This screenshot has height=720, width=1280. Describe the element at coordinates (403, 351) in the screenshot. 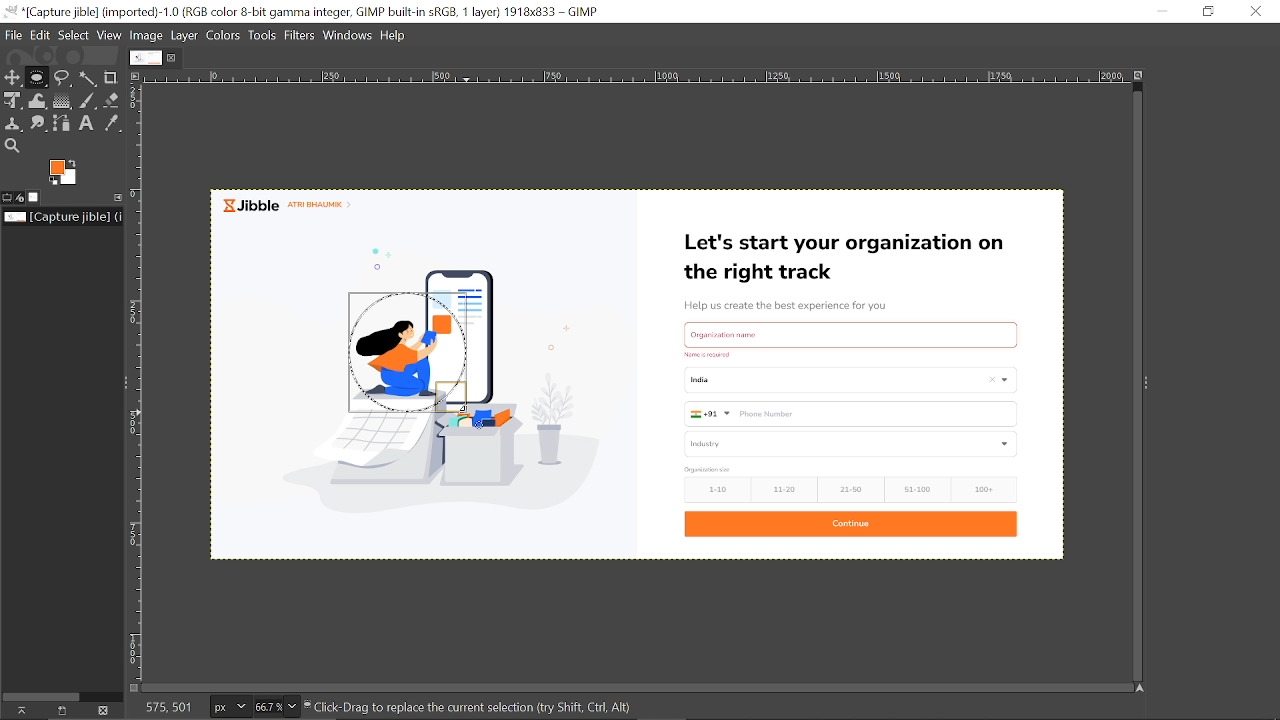

I see `Circular selection created` at that location.